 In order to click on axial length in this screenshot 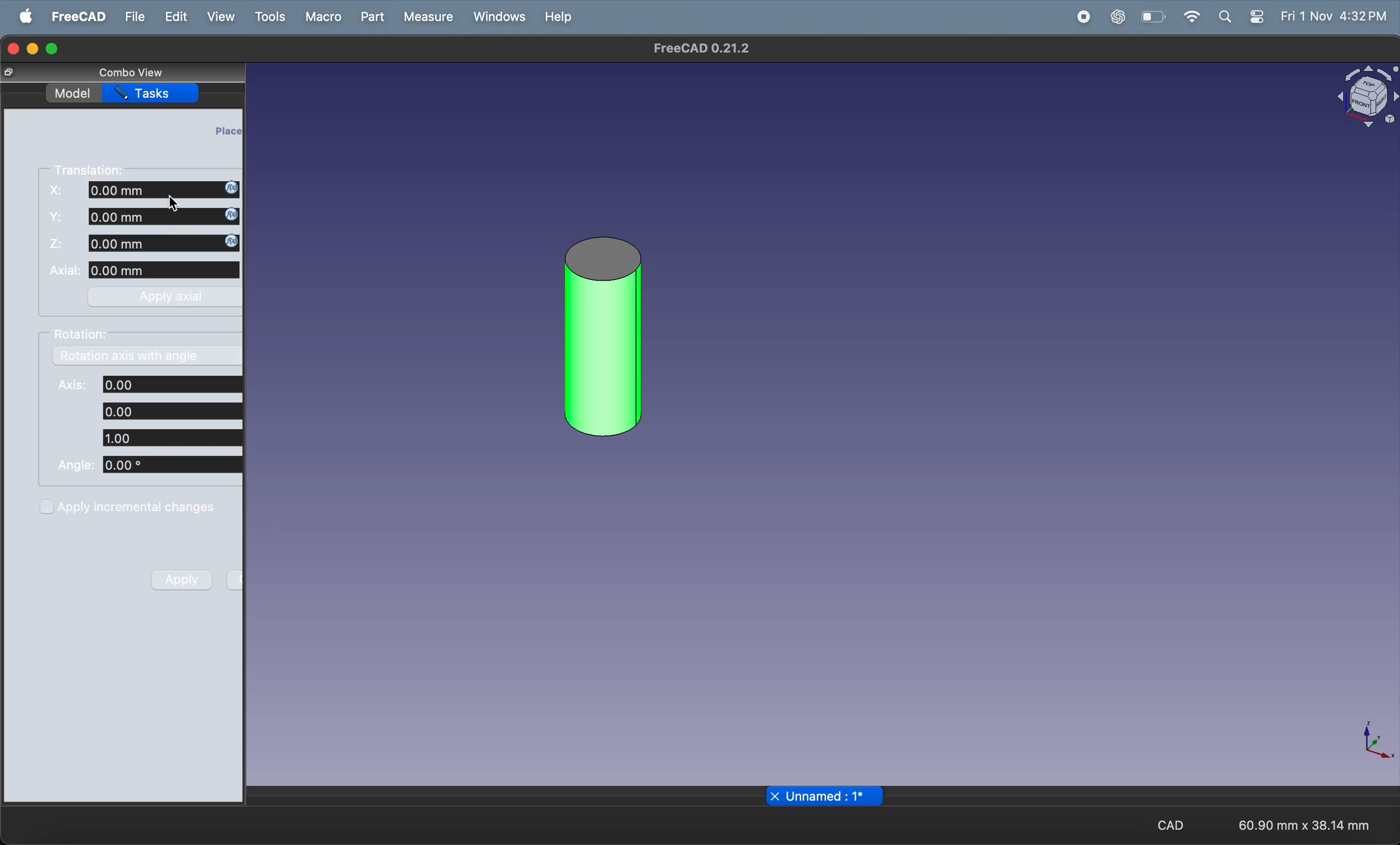, I will do `click(166, 270)`.